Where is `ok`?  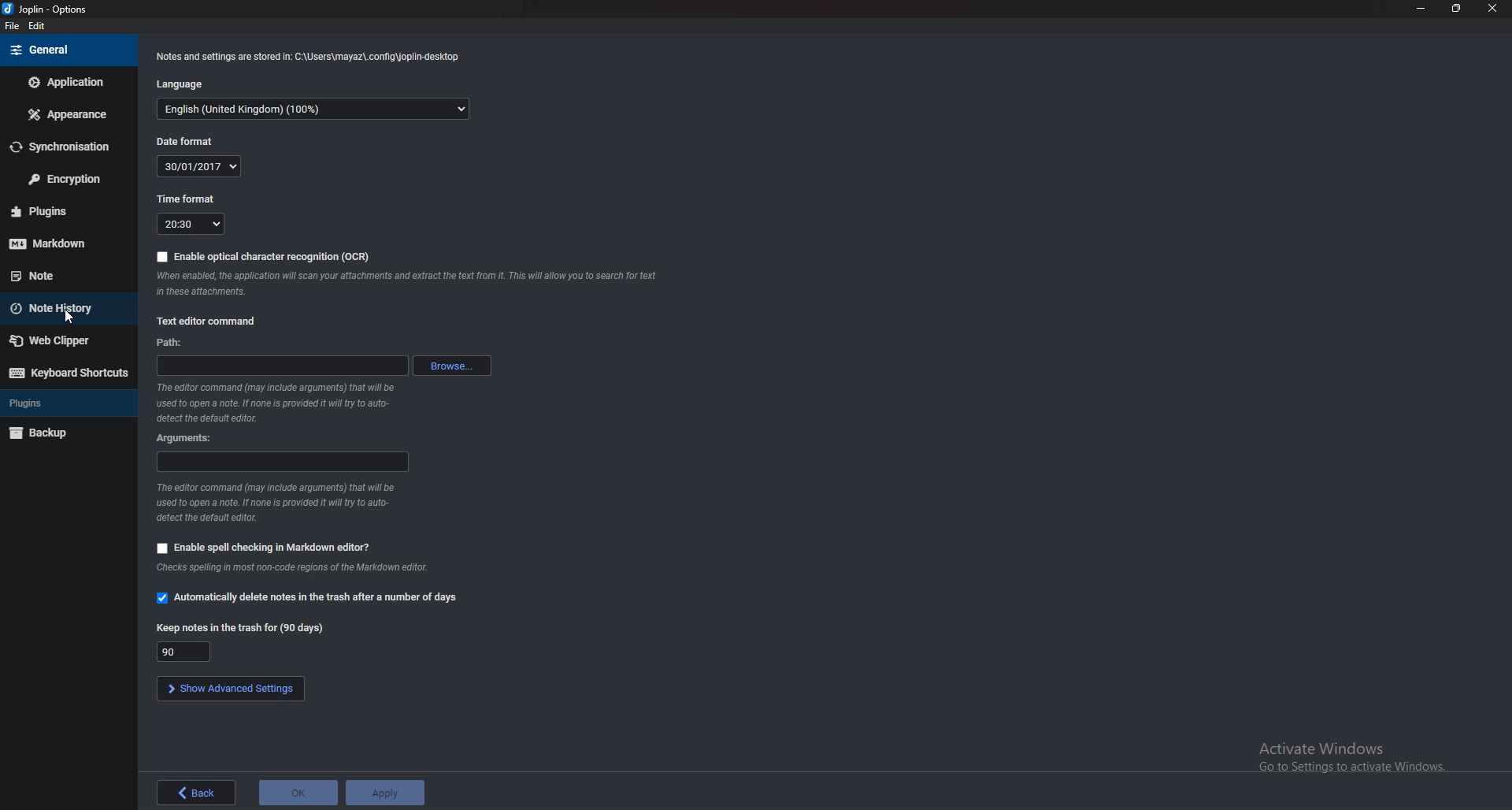 ok is located at coordinates (298, 793).